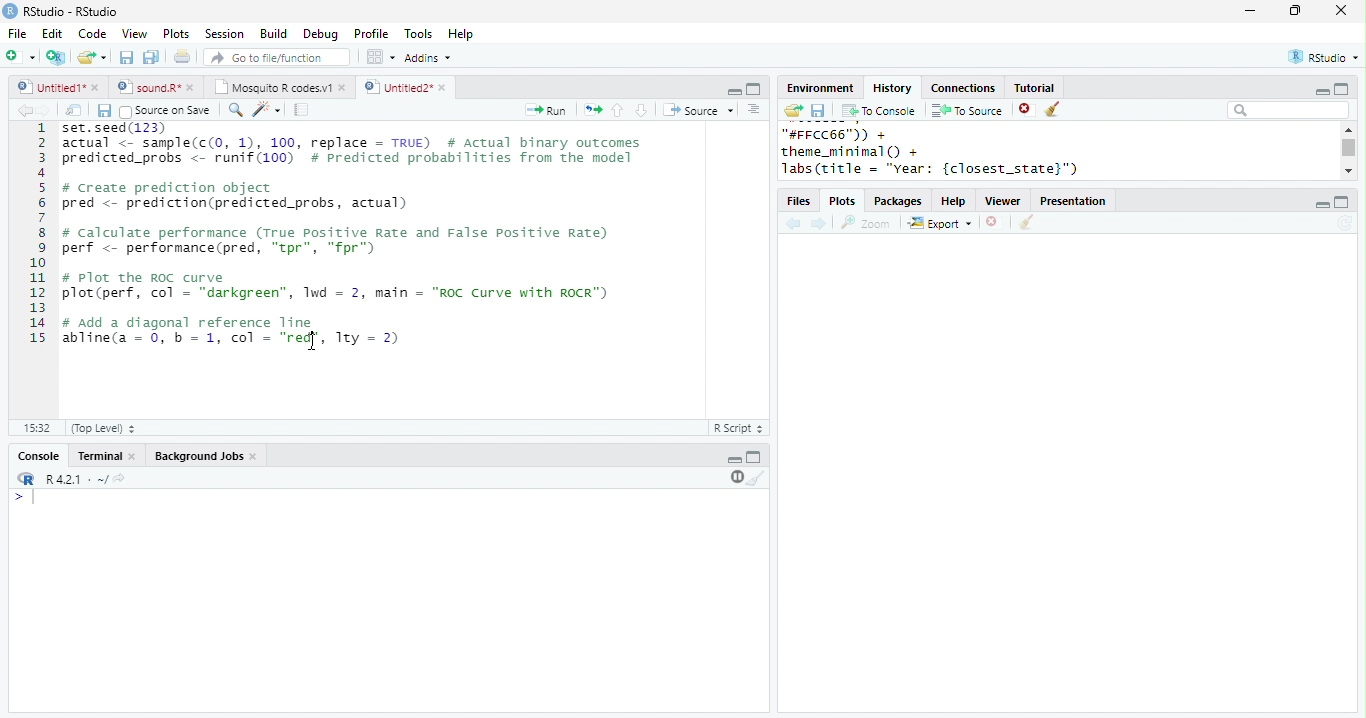 The width and height of the screenshot is (1366, 718). What do you see at coordinates (1345, 223) in the screenshot?
I see `refresh` at bounding box center [1345, 223].